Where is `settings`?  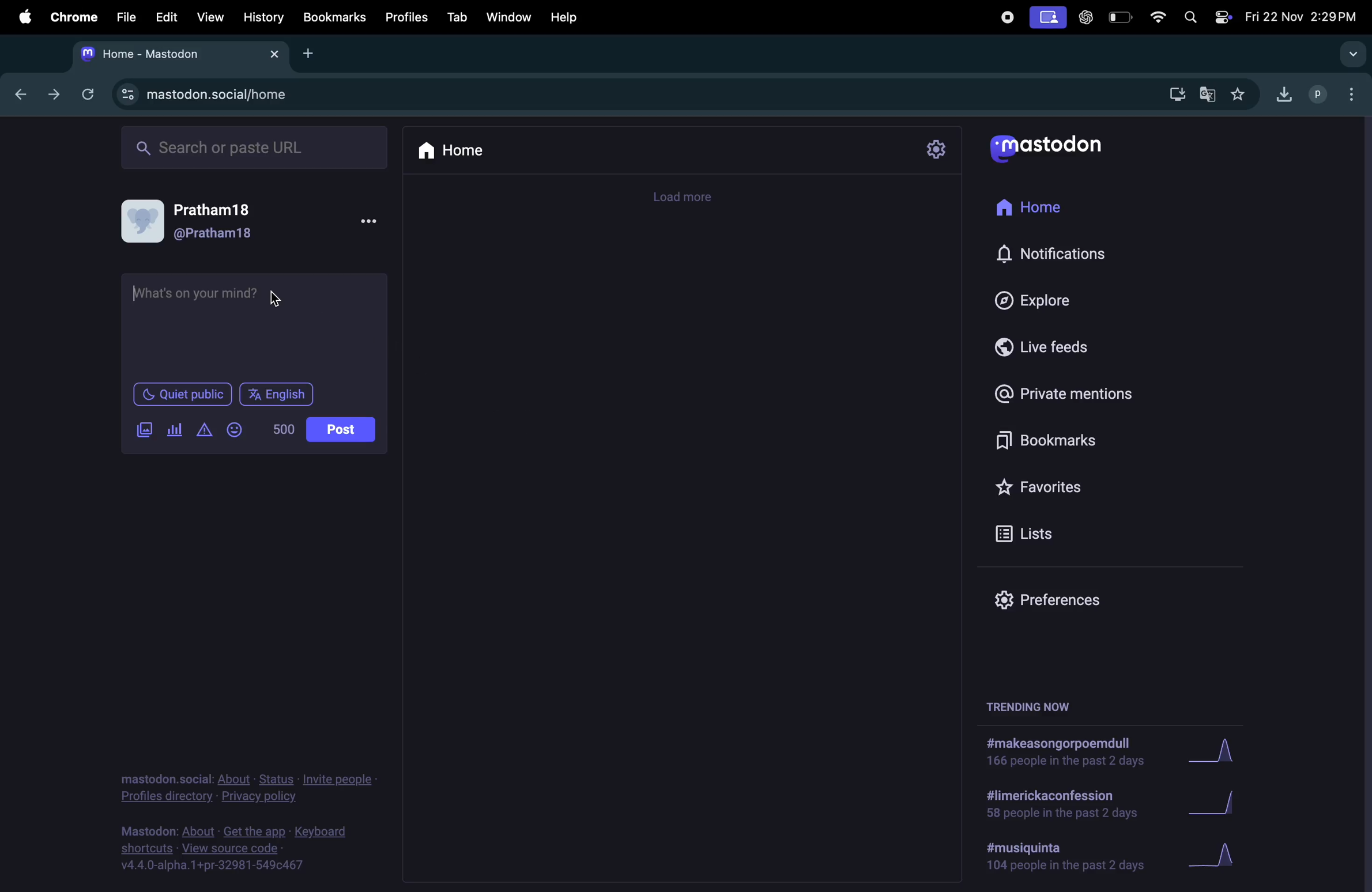
settings is located at coordinates (936, 149).